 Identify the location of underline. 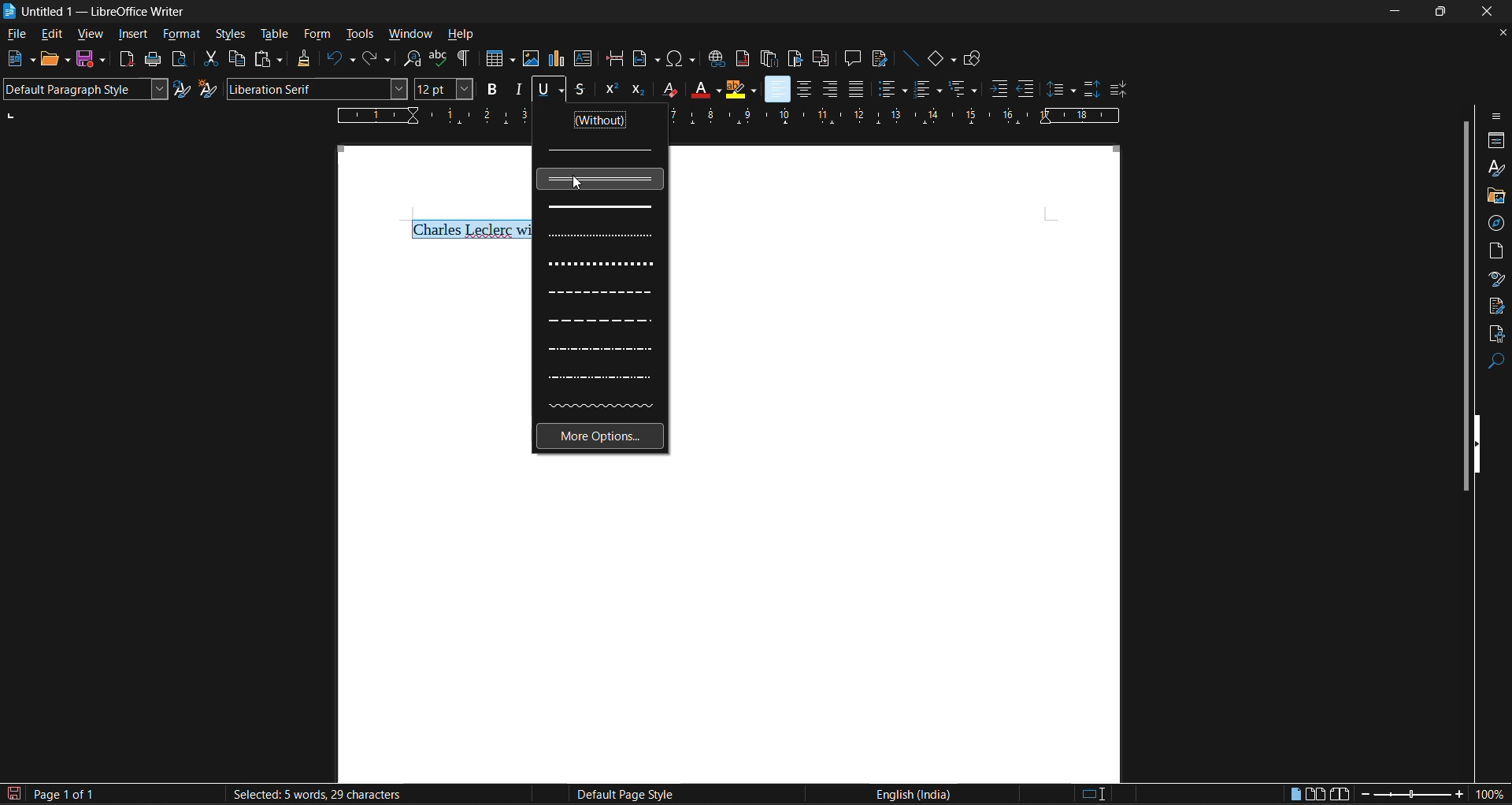
(548, 91).